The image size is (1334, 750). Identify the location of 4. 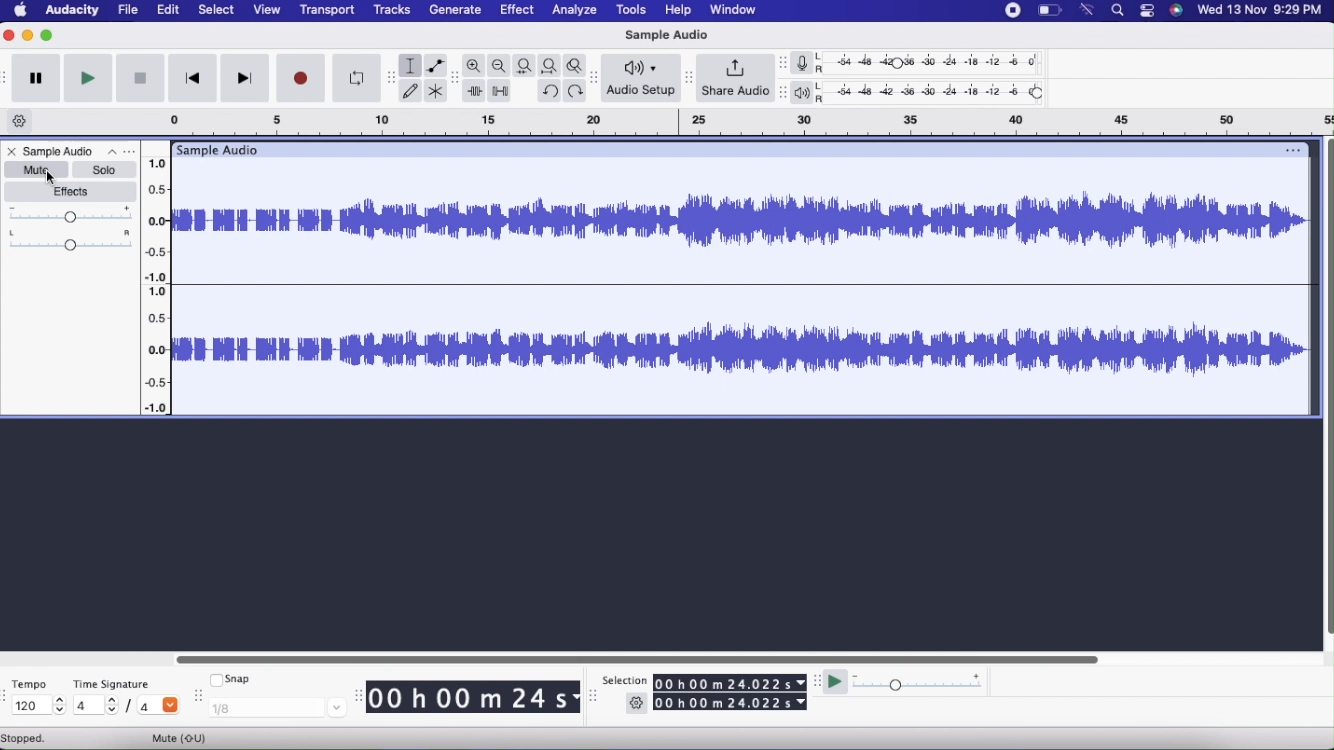
(158, 707).